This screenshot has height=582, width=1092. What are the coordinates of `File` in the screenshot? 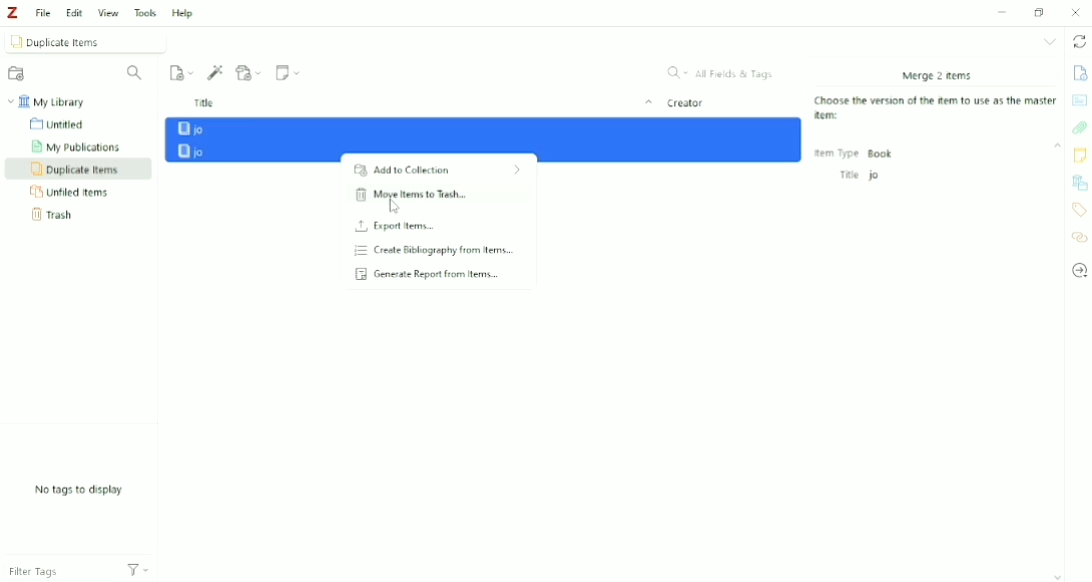 It's located at (44, 12).